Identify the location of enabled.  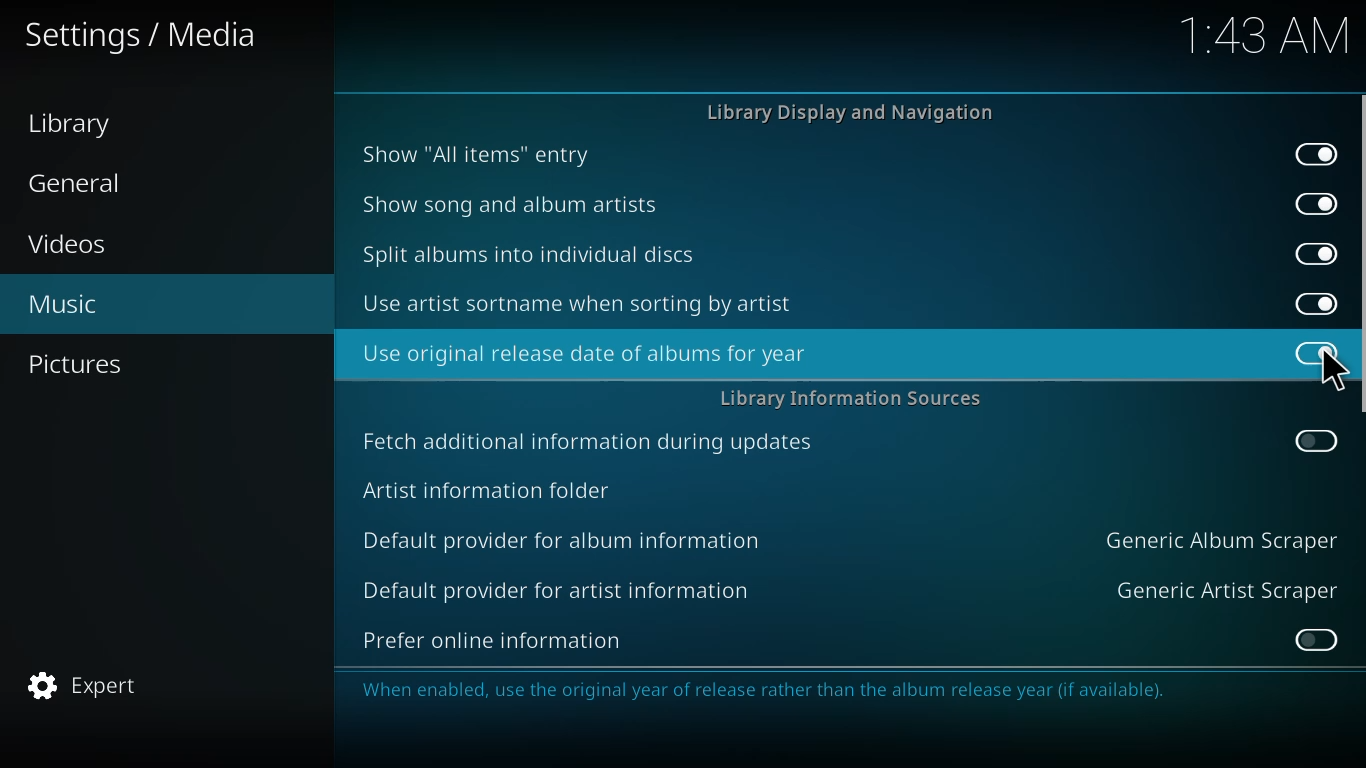
(1313, 251).